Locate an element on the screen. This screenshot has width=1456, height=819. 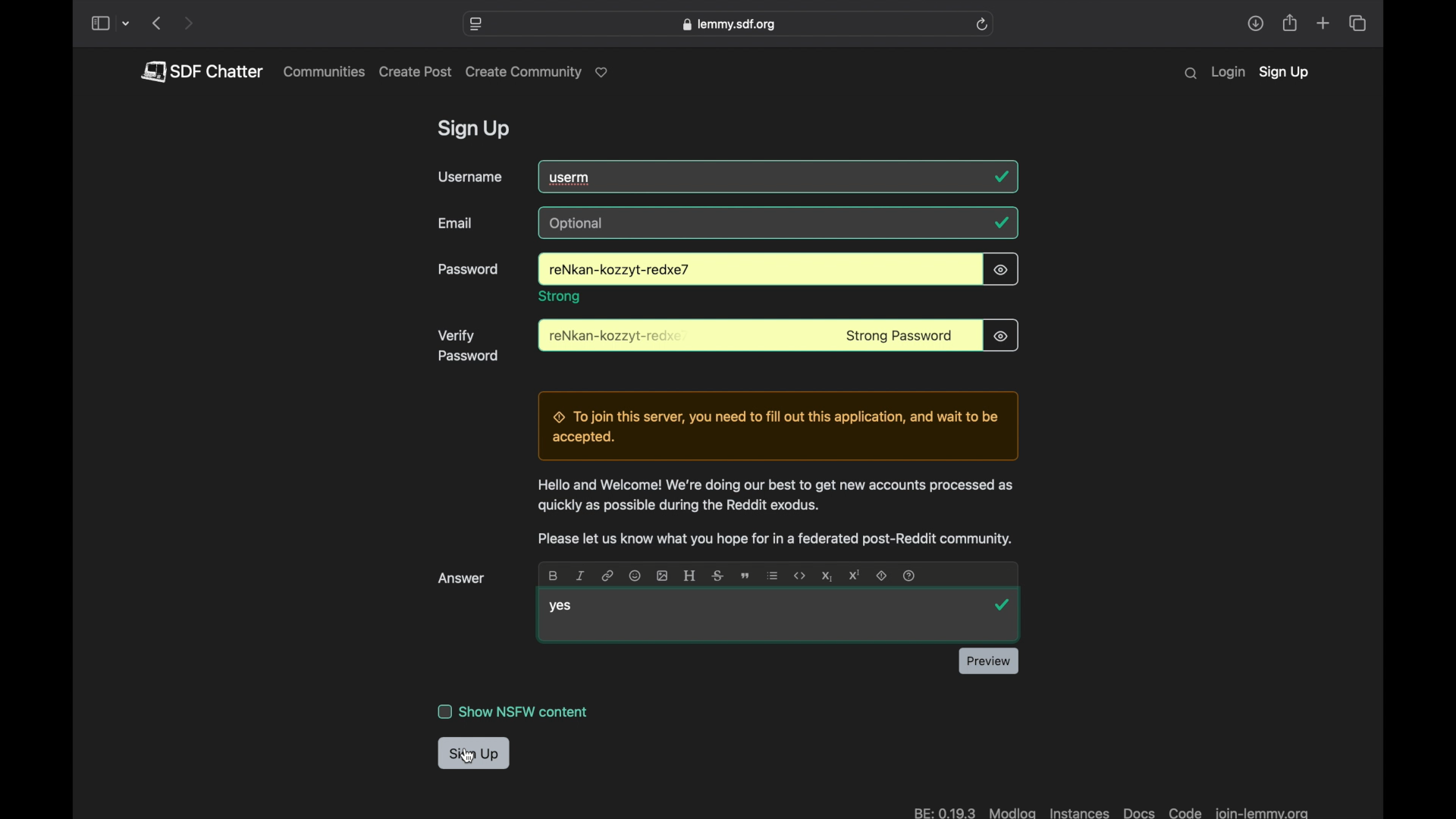
Server joining notification is located at coordinates (777, 426).